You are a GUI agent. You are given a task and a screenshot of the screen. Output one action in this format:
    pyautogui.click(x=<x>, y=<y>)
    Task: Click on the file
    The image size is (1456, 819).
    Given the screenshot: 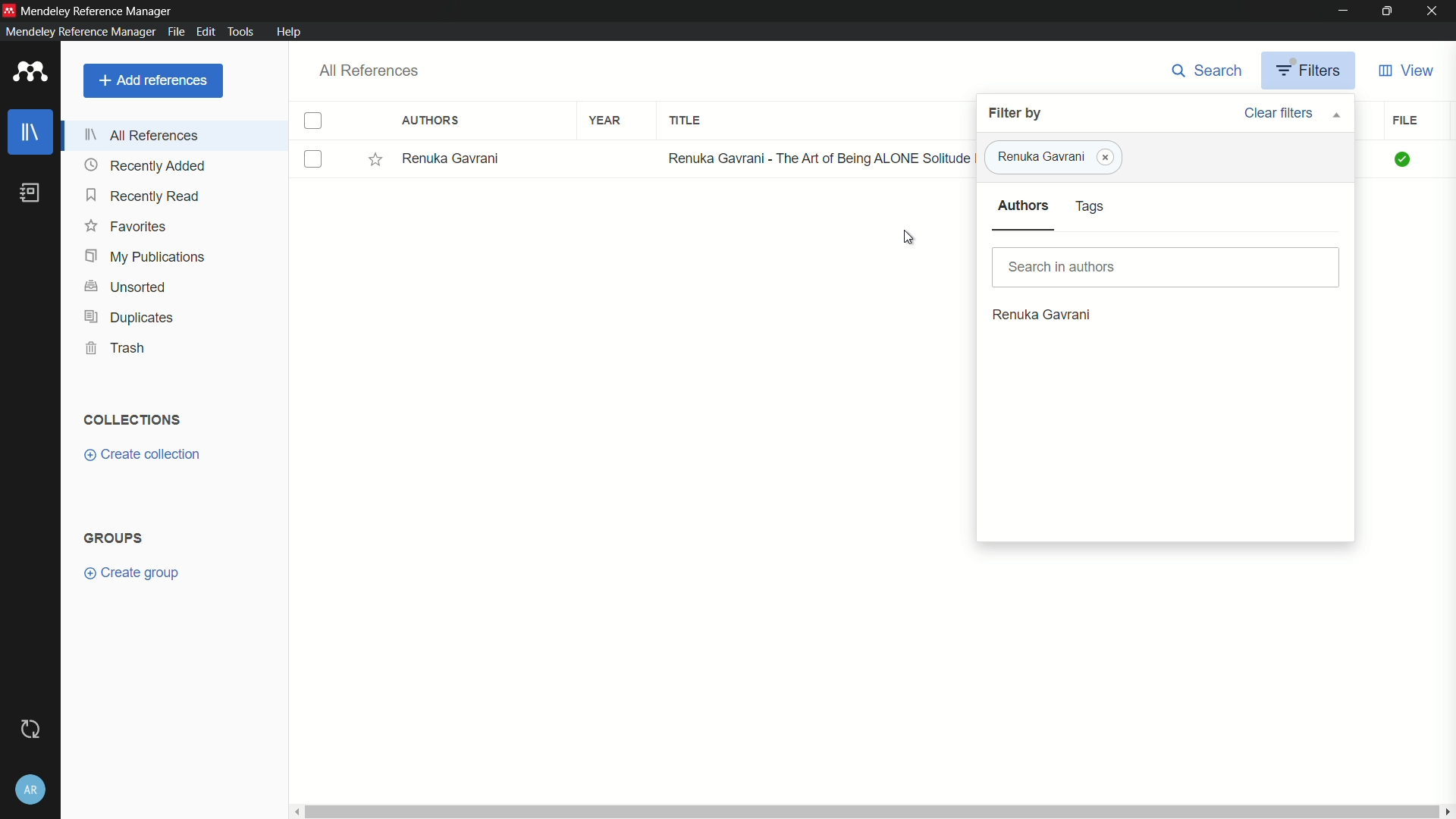 What is the action you would take?
    pyautogui.click(x=1409, y=119)
    